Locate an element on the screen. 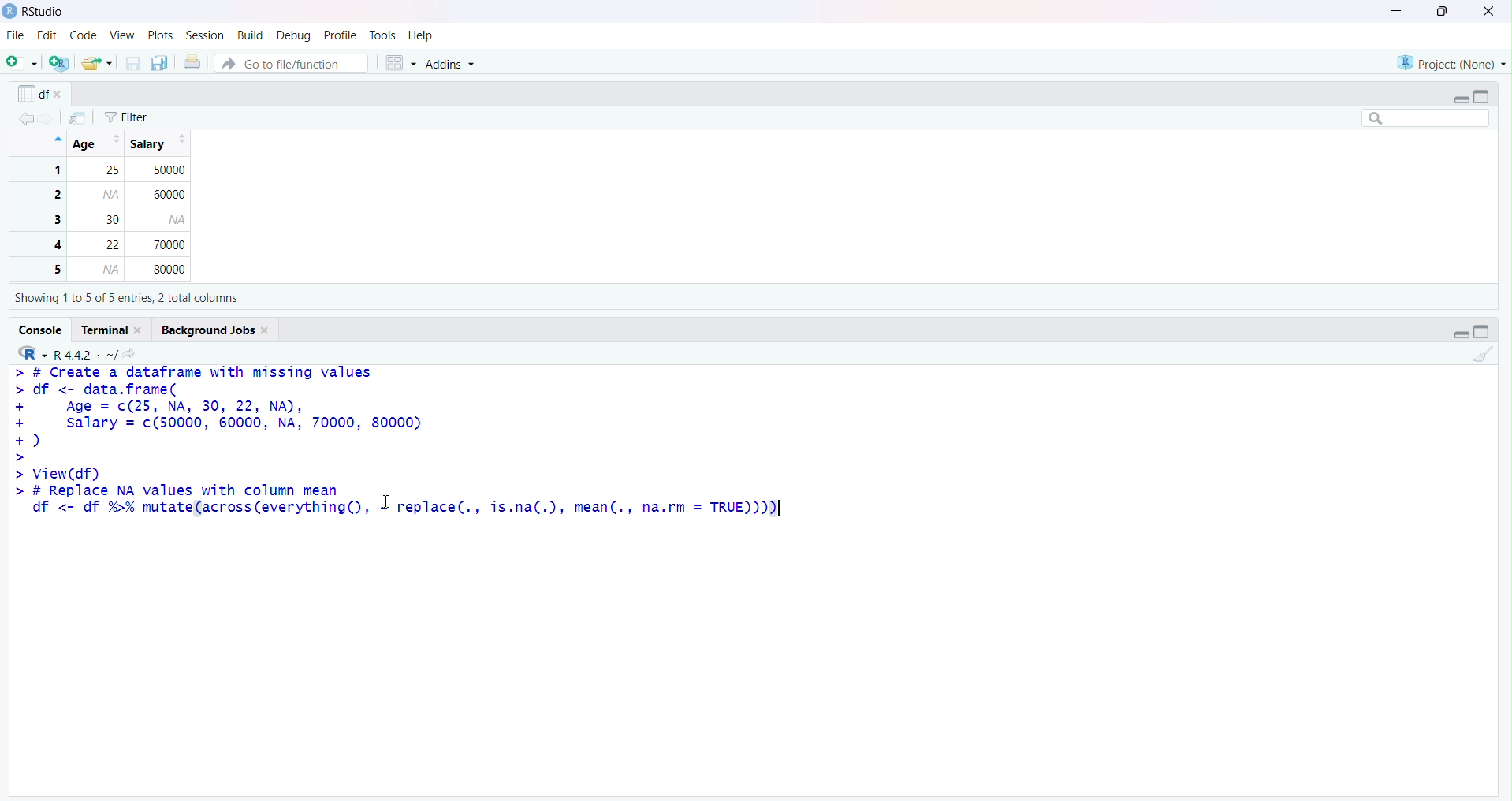 Image resolution: width=1512 pixels, height=801 pixels. Console is located at coordinates (41, 330).